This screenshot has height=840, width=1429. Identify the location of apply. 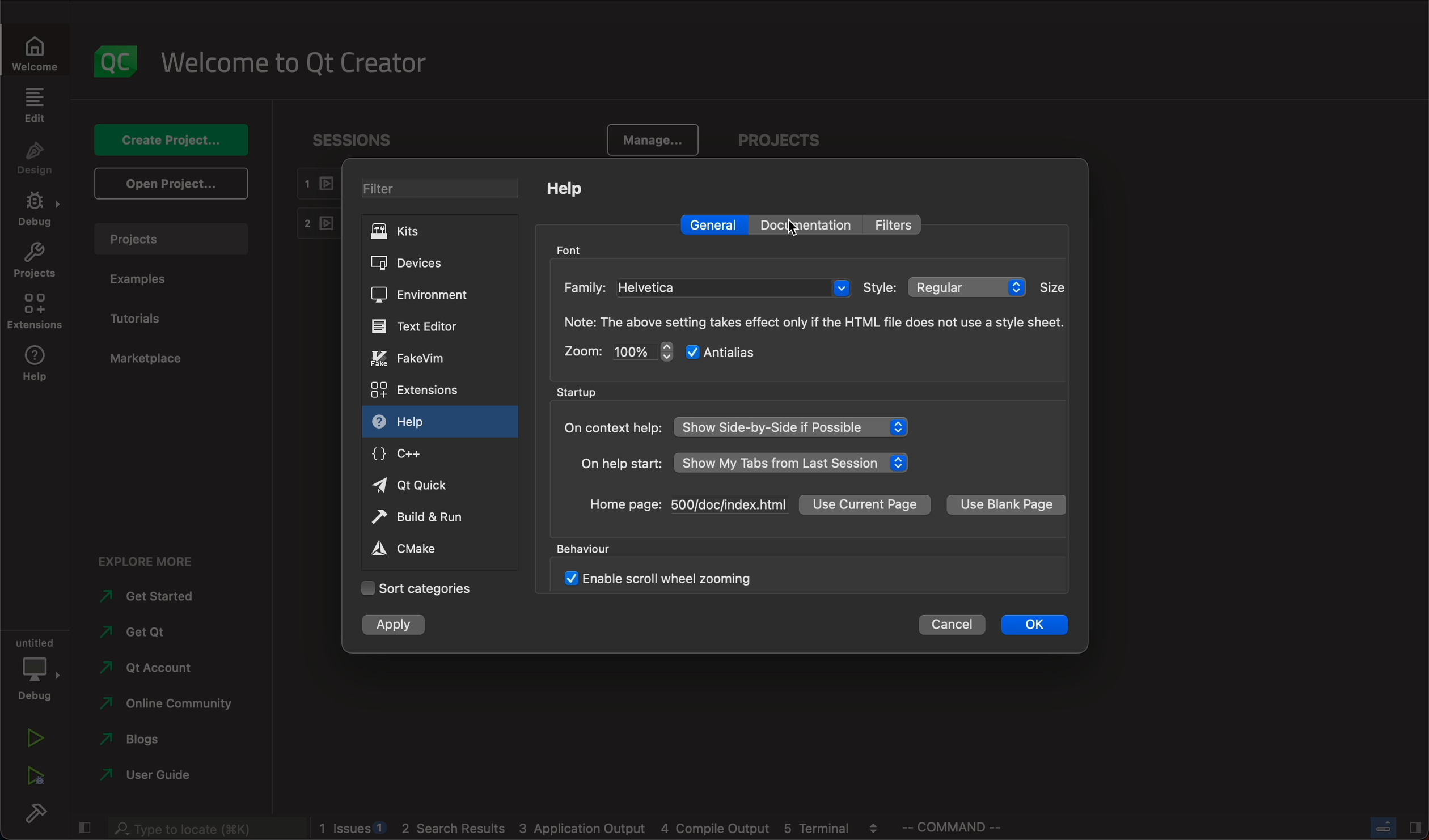
(398, 626).